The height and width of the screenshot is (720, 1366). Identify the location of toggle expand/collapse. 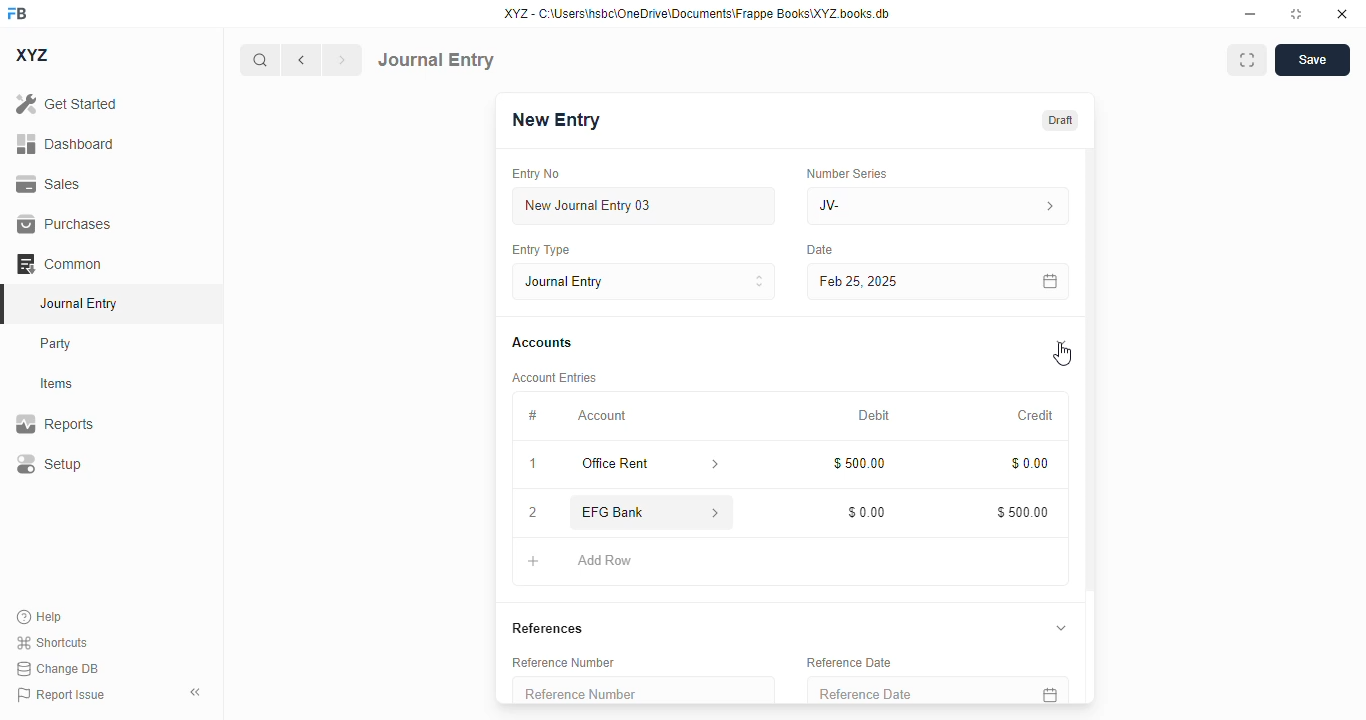
(1062, 343).